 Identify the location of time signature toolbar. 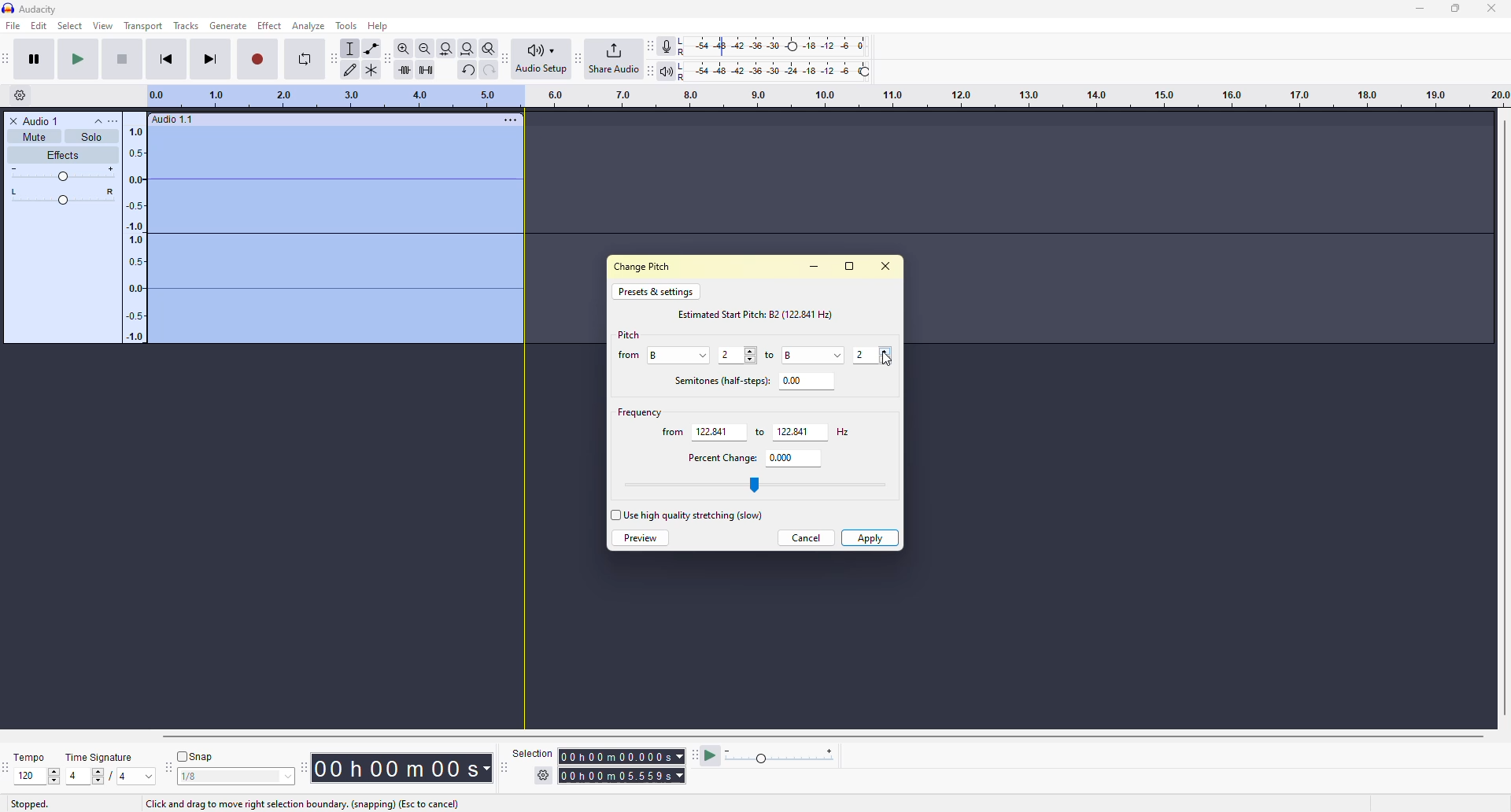
(6, 768).